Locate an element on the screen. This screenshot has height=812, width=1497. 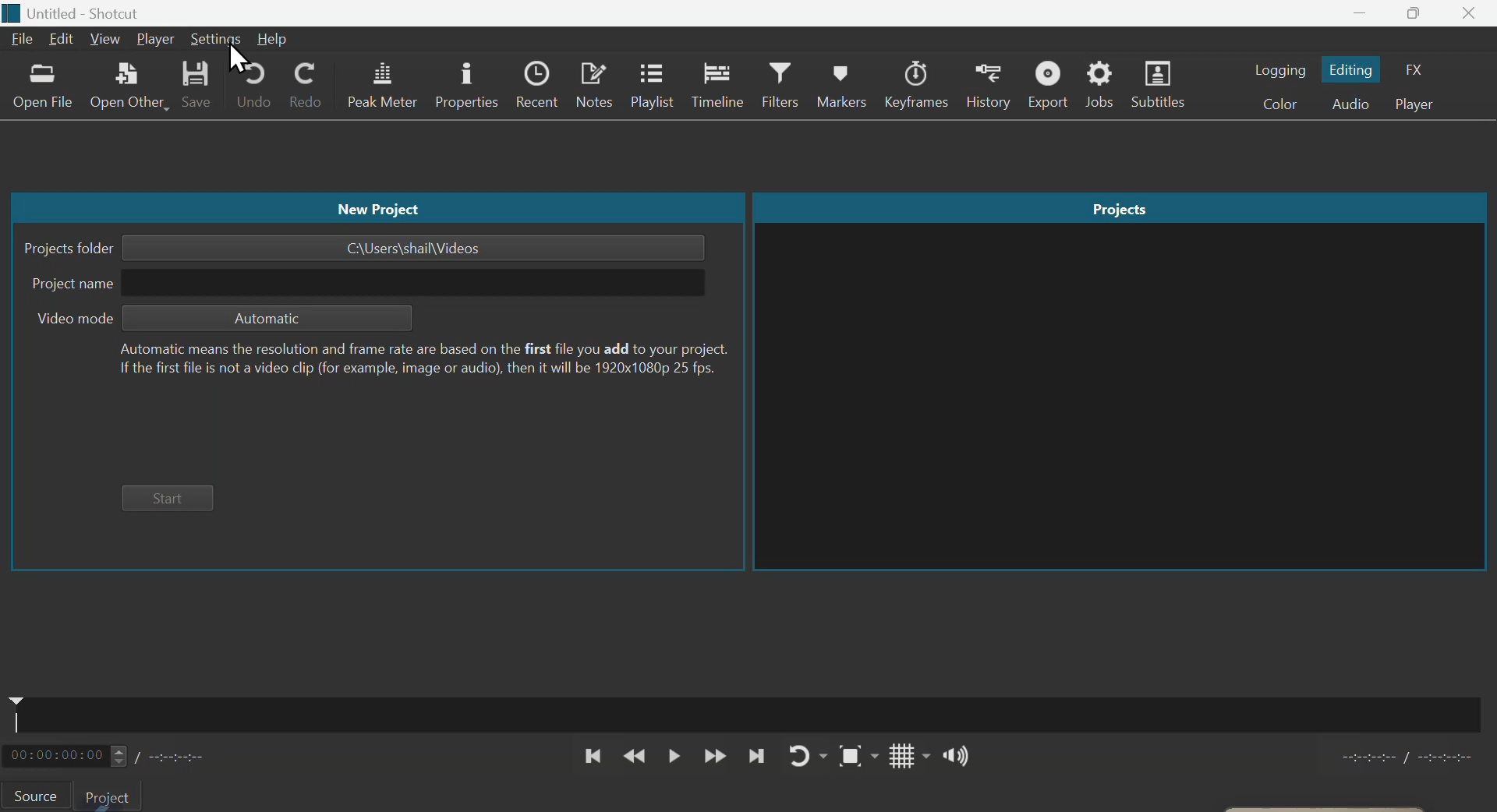
Timeline is located at coordinates (723, 86).